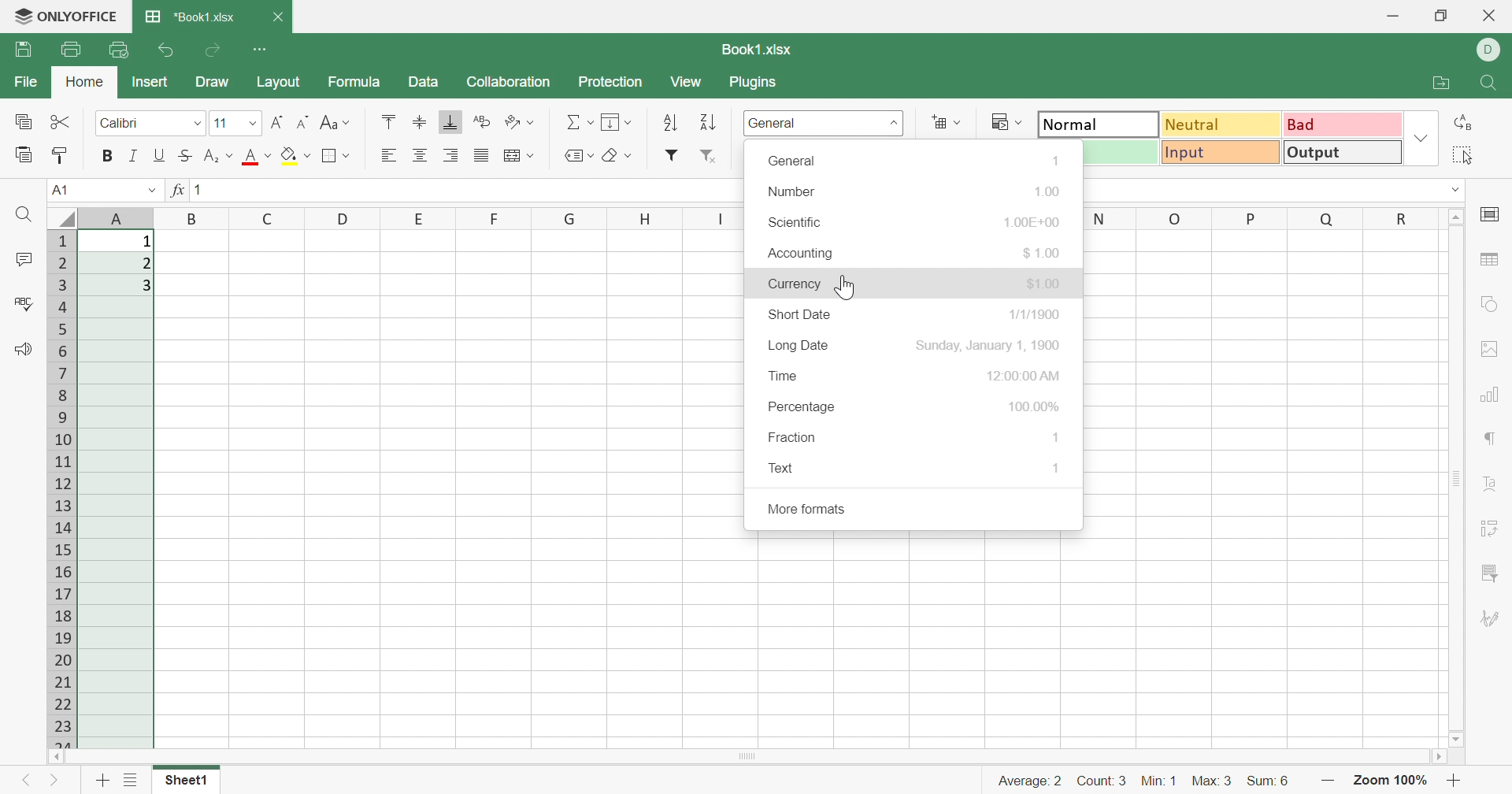 The height and width of the screenshot is (794, 1512). I want to click on 2, so click(146, 264).